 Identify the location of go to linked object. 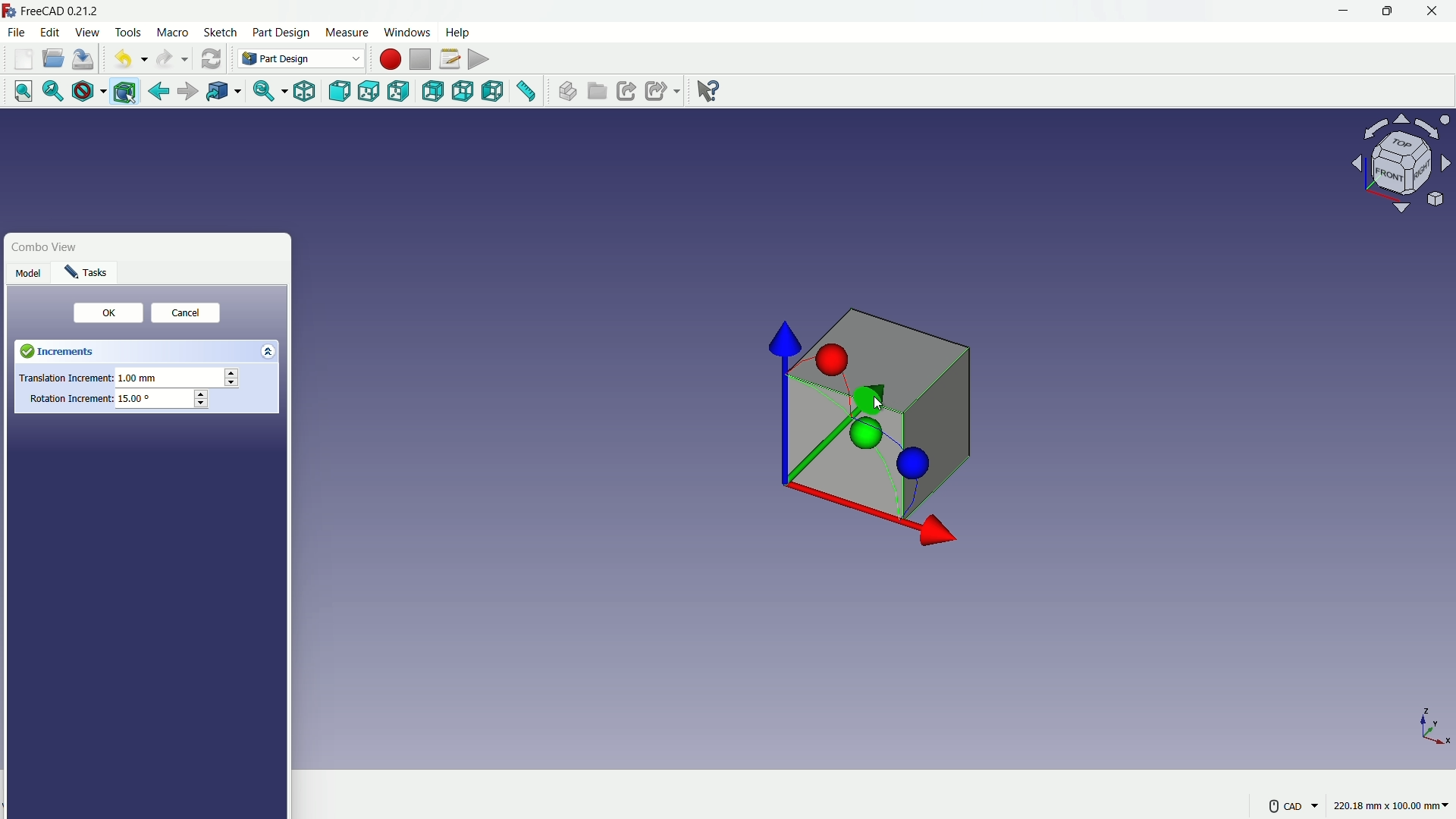
(222, 93).